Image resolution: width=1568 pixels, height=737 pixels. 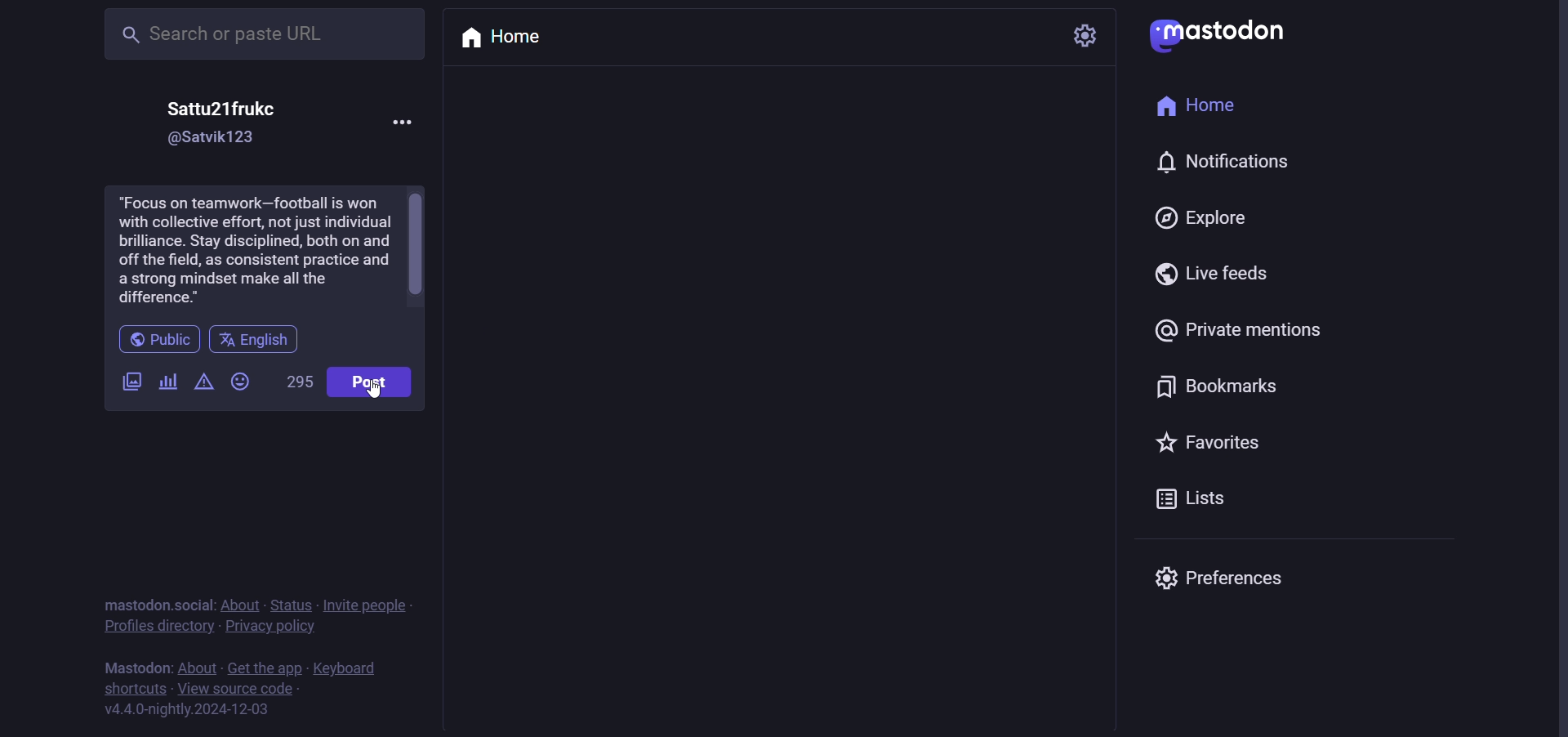 I want to click on favorite, so click(x=1204, y=443).